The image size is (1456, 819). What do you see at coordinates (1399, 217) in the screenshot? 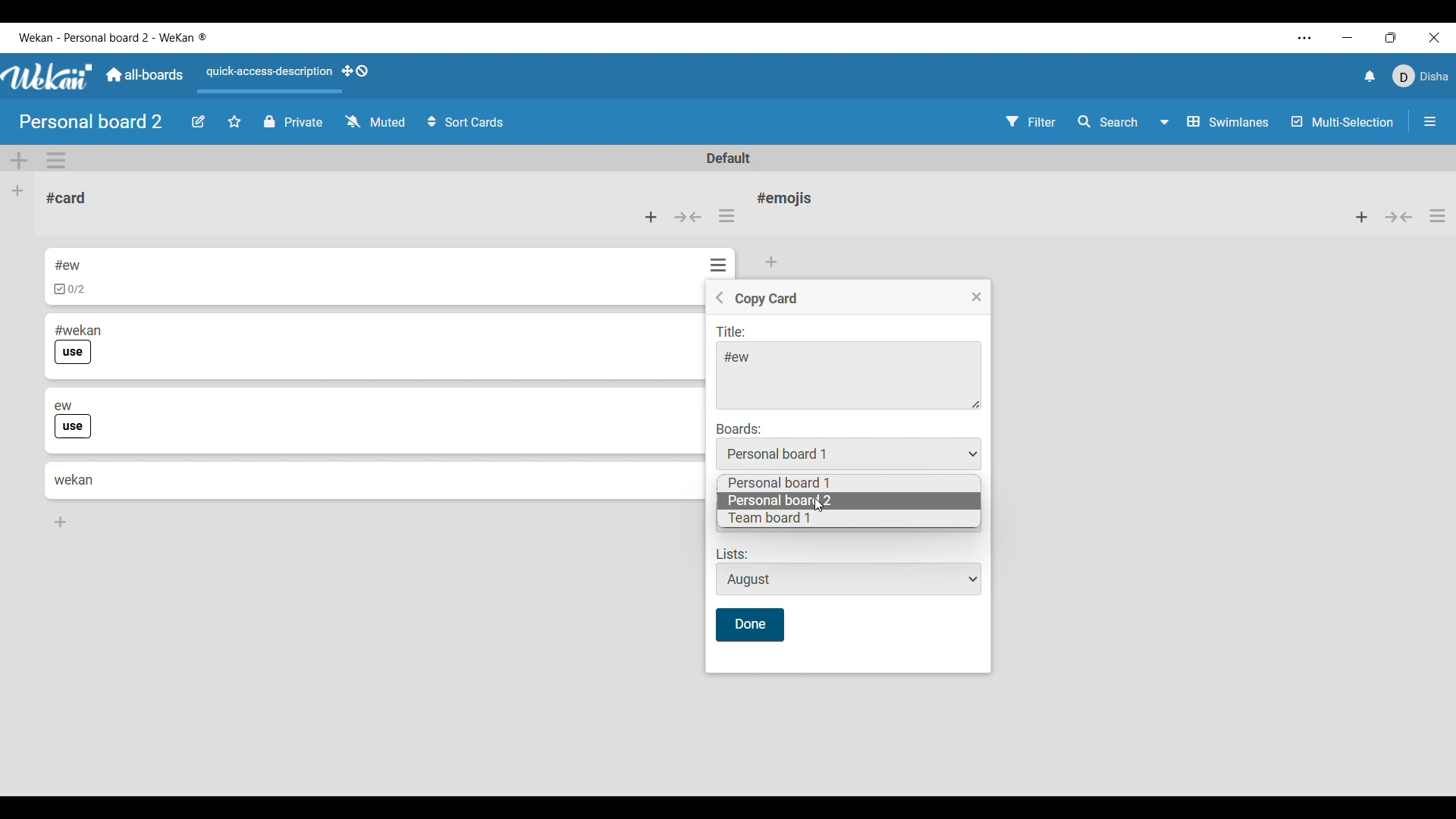
I see `Collapse` at bounding box center [1399, 217].